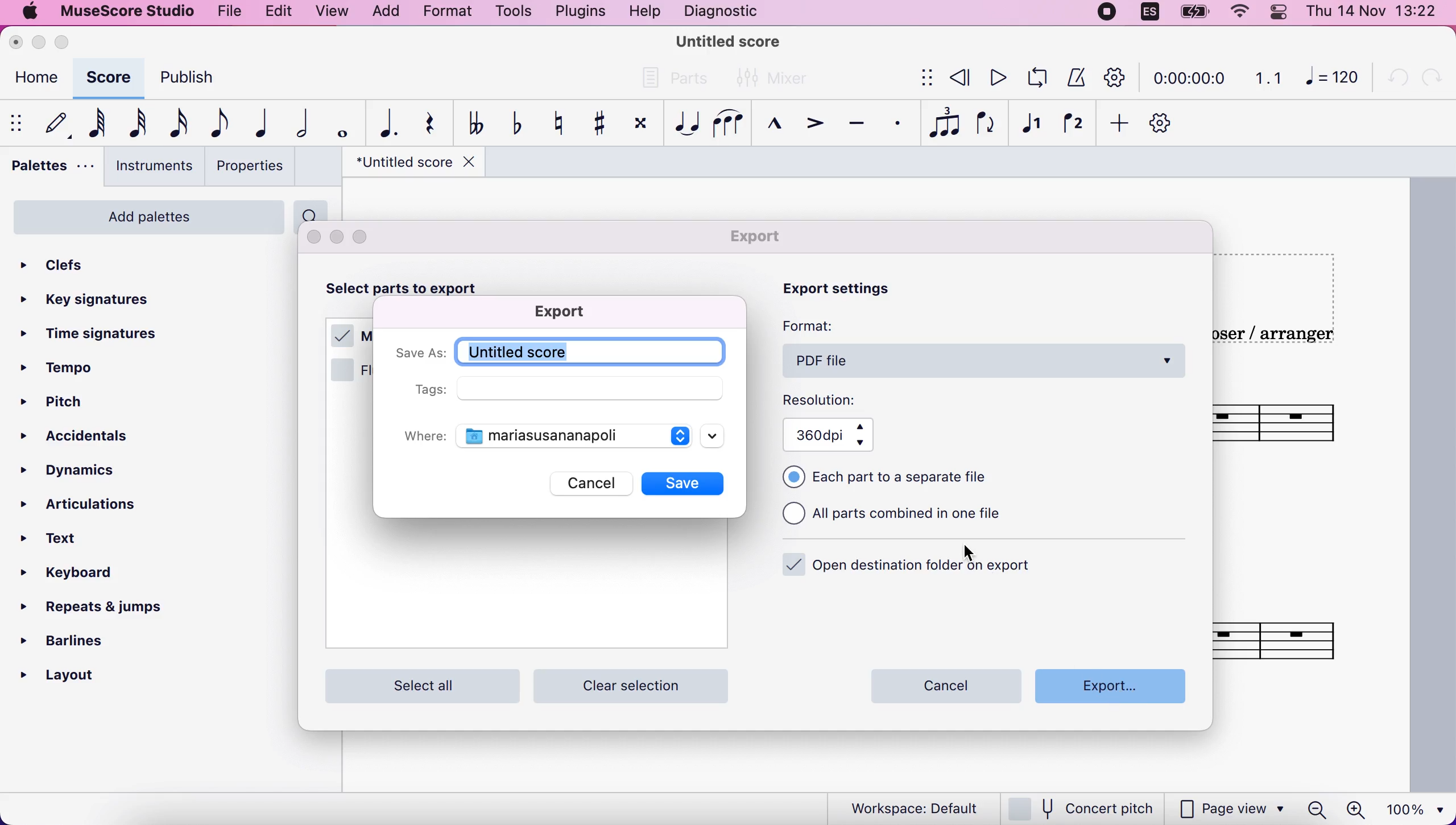 This screenshot has height=825, width=1456. Describe the element at coordinates (78, 505) in the screenshot. I see `articulations` at that location.